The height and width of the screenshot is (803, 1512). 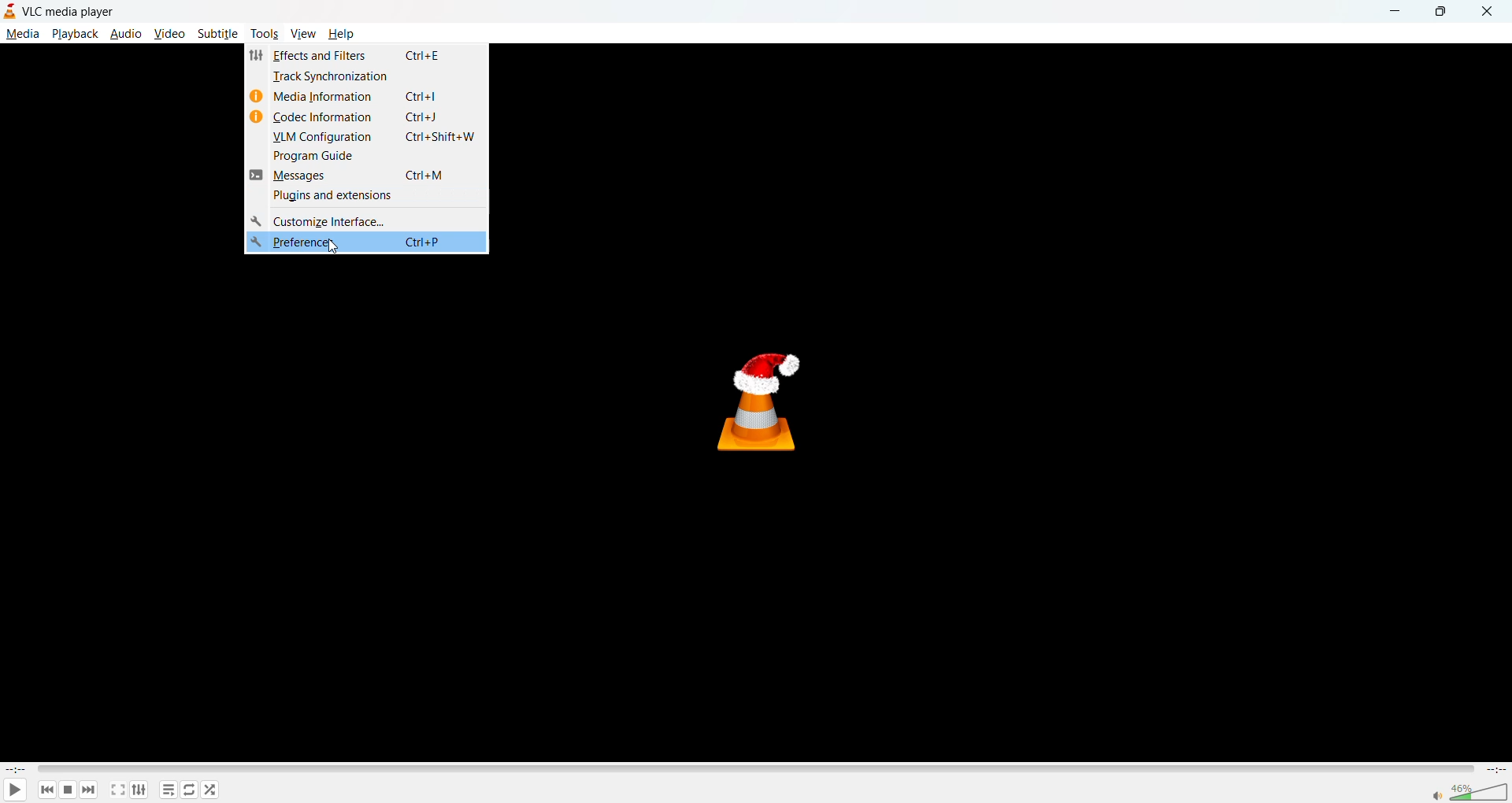 What do you see at coordinates (379, 137) in the screenshot?
I see `vlm configuration` at bounding box center [379, 137].